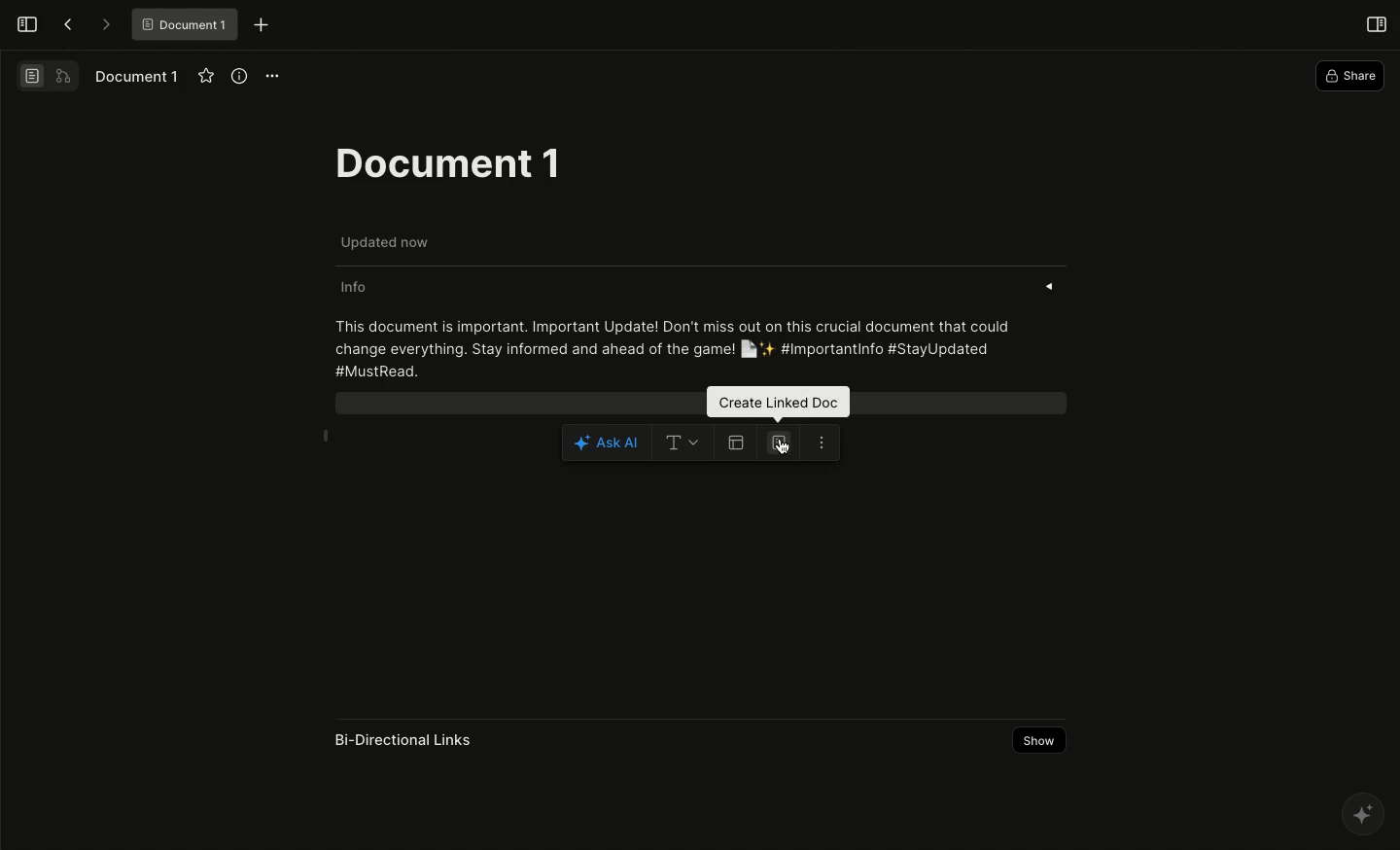 The height and width of the screenshot is (850, 1400). I want to click on Info «, so click(717, 288).